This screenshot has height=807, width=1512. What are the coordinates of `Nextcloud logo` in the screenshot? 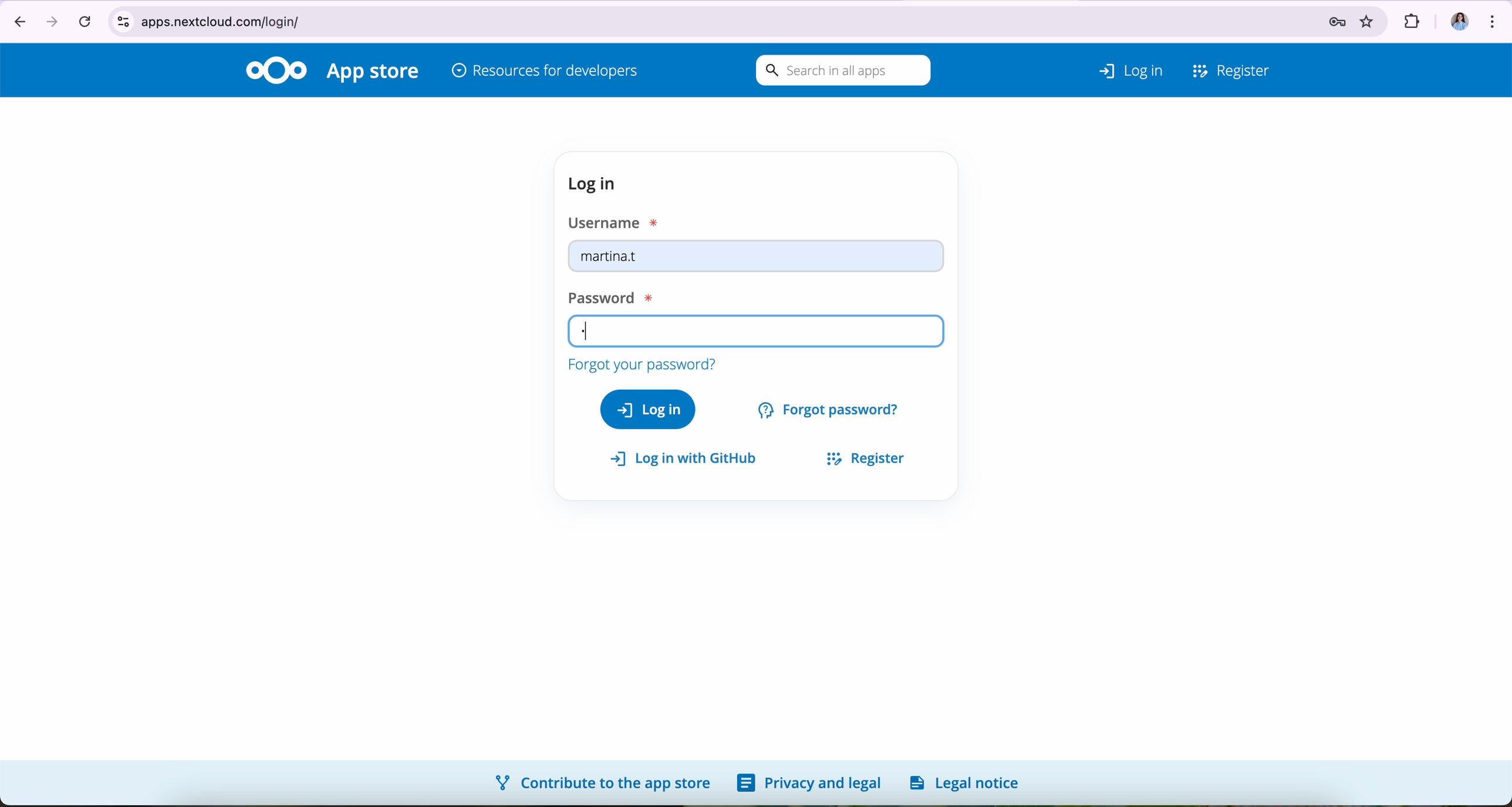 It's located at (276, 69).